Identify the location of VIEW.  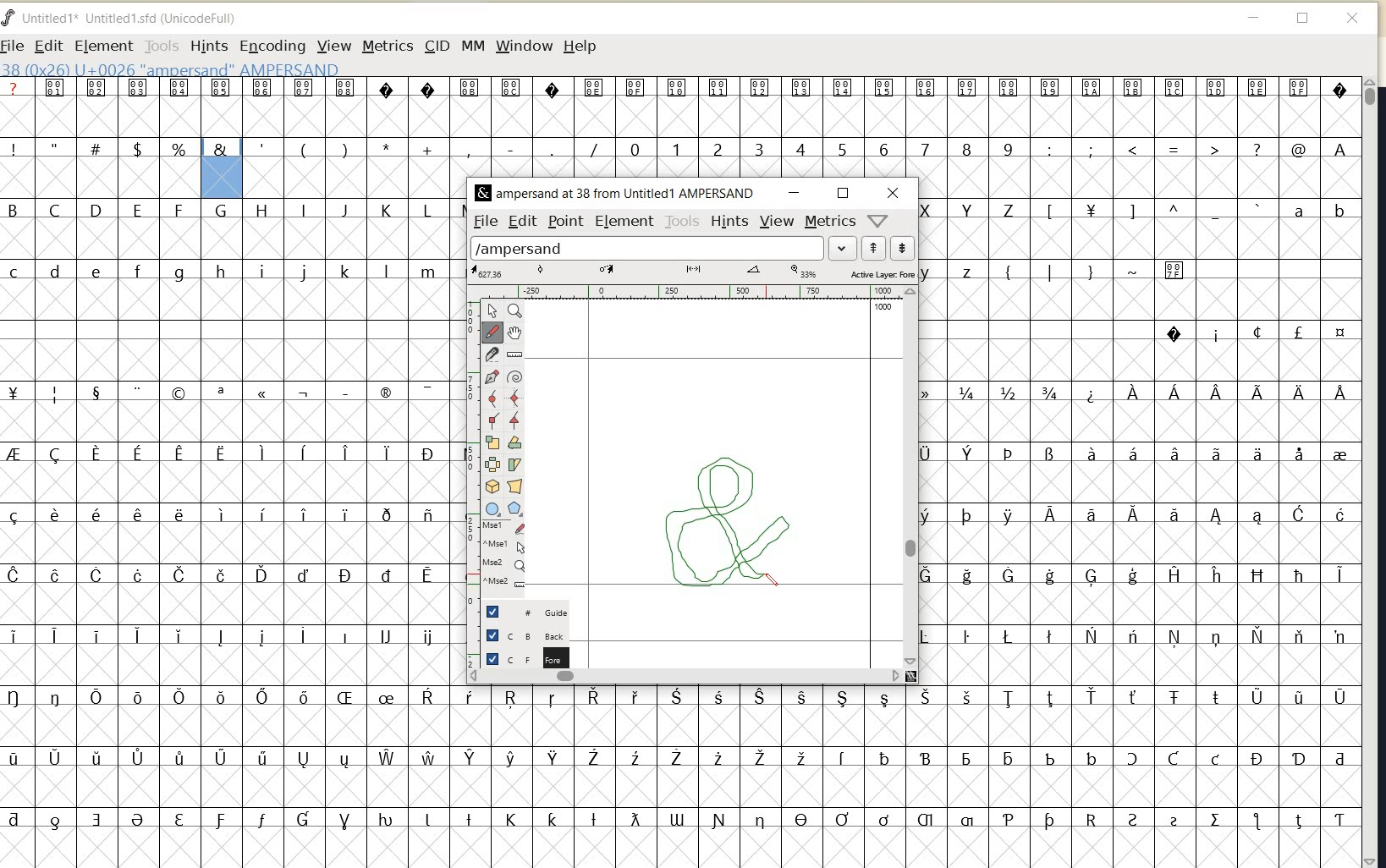
(335, 46).